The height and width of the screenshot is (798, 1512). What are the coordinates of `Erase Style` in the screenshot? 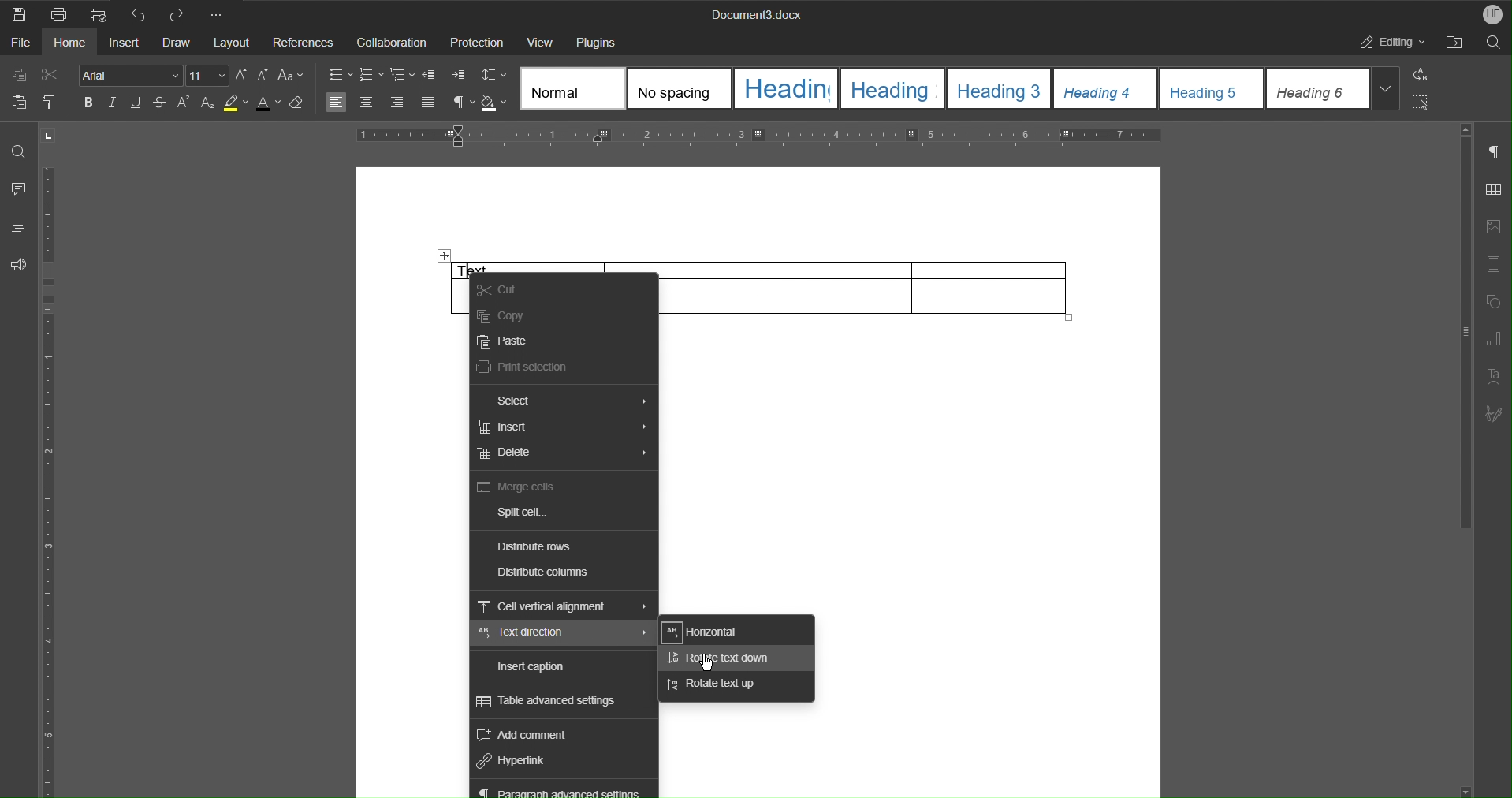 It's located at (300, 103).